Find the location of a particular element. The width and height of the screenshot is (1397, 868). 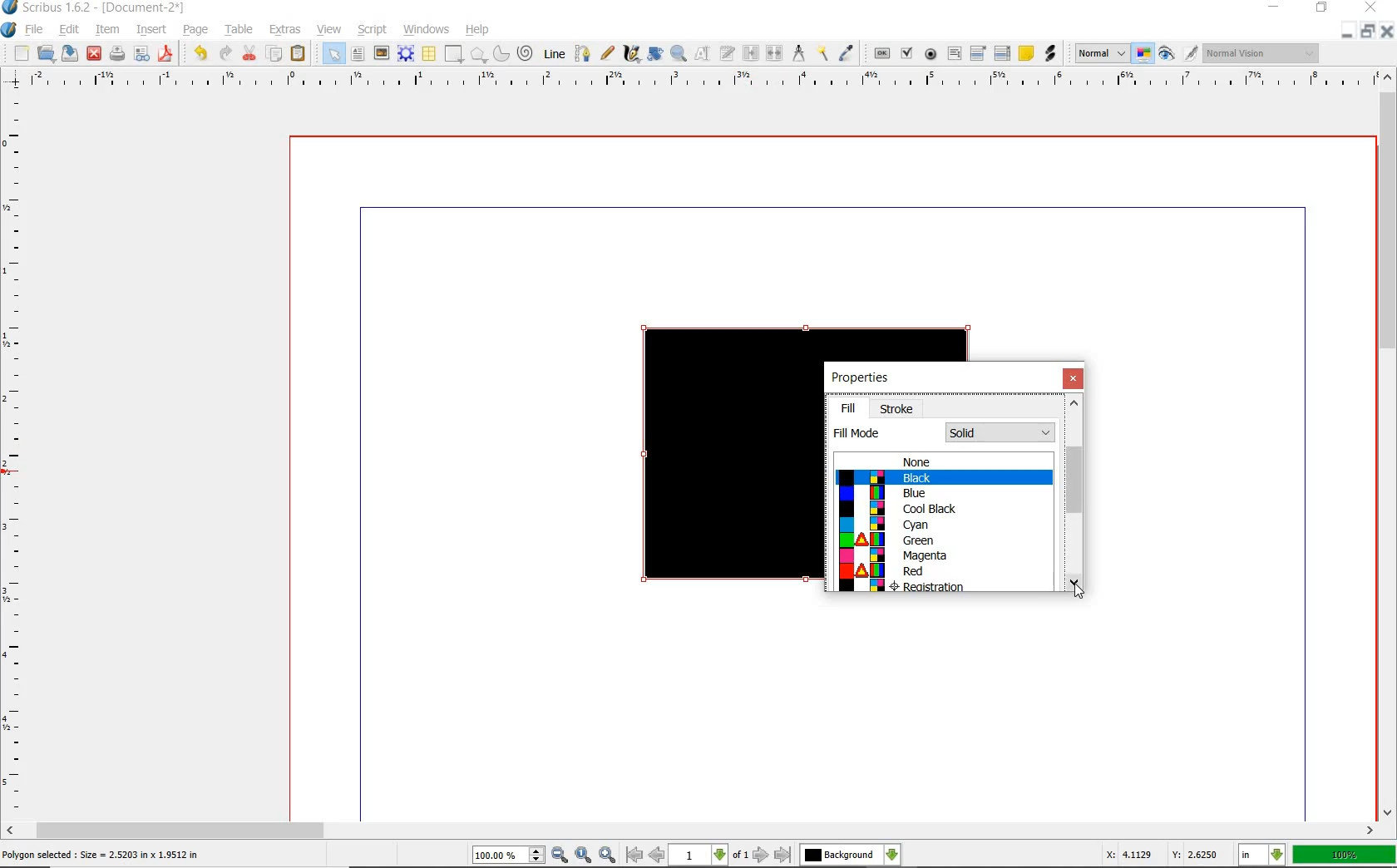

Scribus 1.6.2 - [Document-2*] is located at coordinates (96, 8).